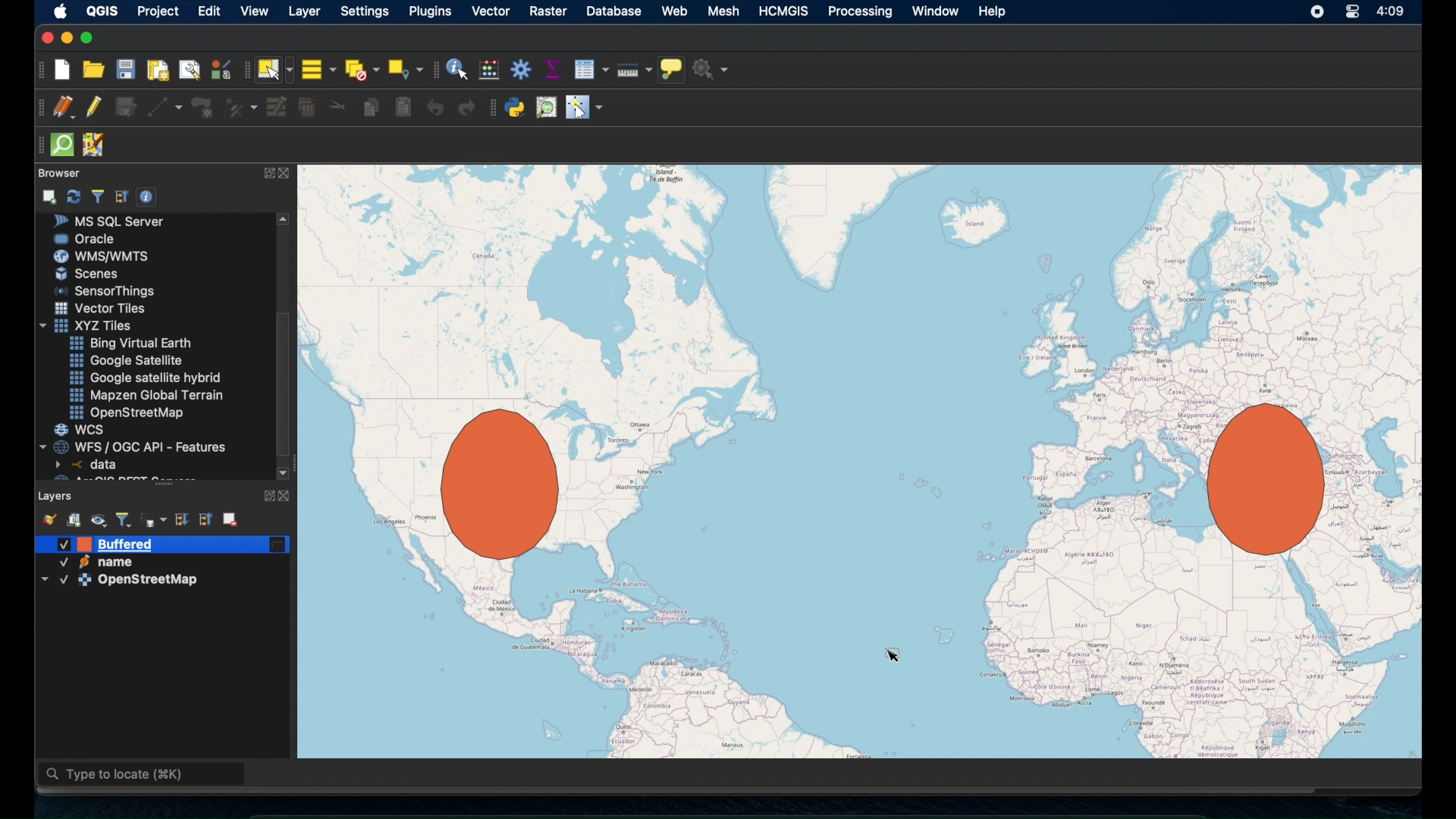  What do you see at coordinates (145, 379) in the screenshot?
I see `google satellite hybrid` at bounding box center [145, 379].